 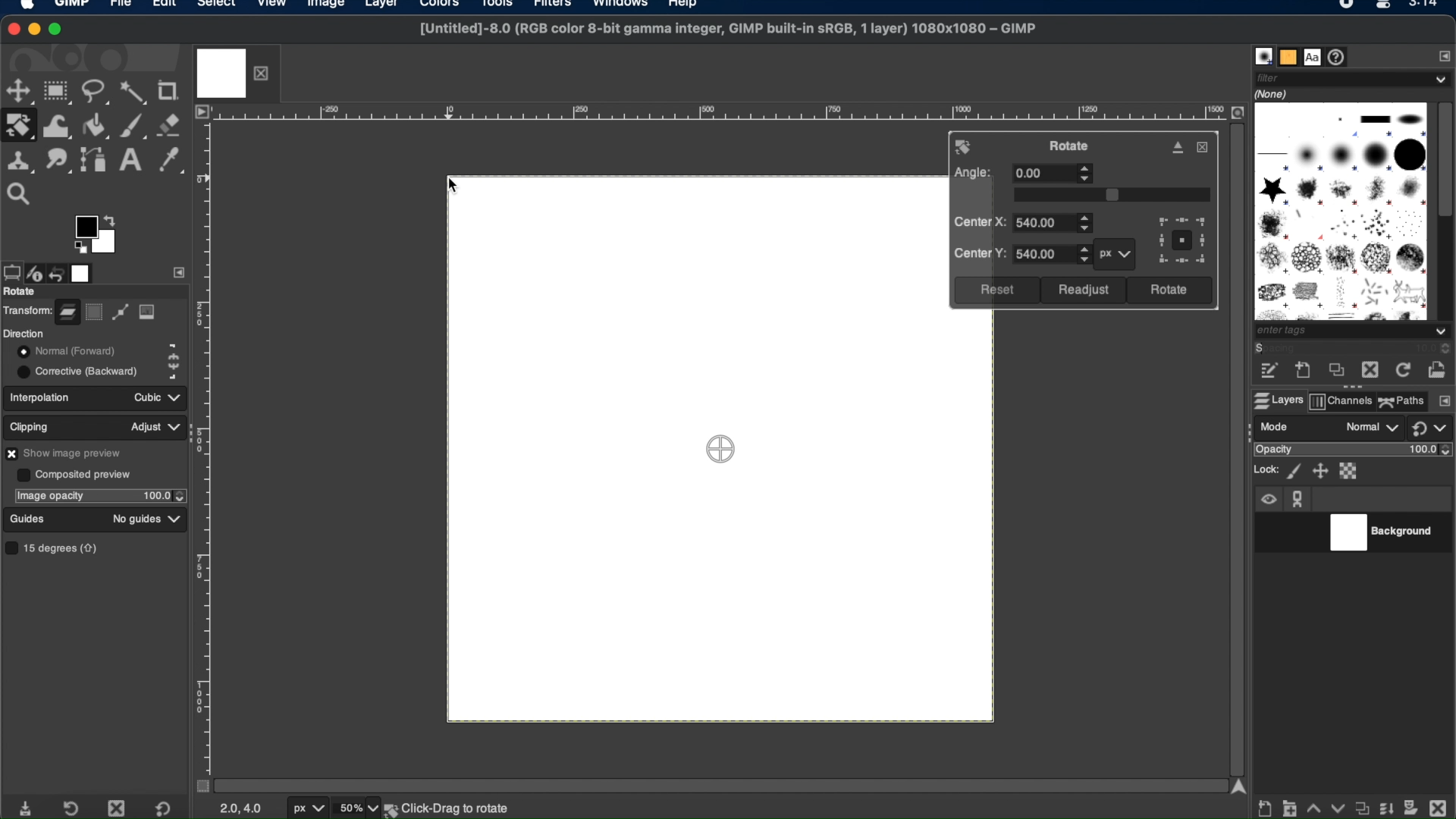 I want to click on zoom levels, so click(x=359, y=808).